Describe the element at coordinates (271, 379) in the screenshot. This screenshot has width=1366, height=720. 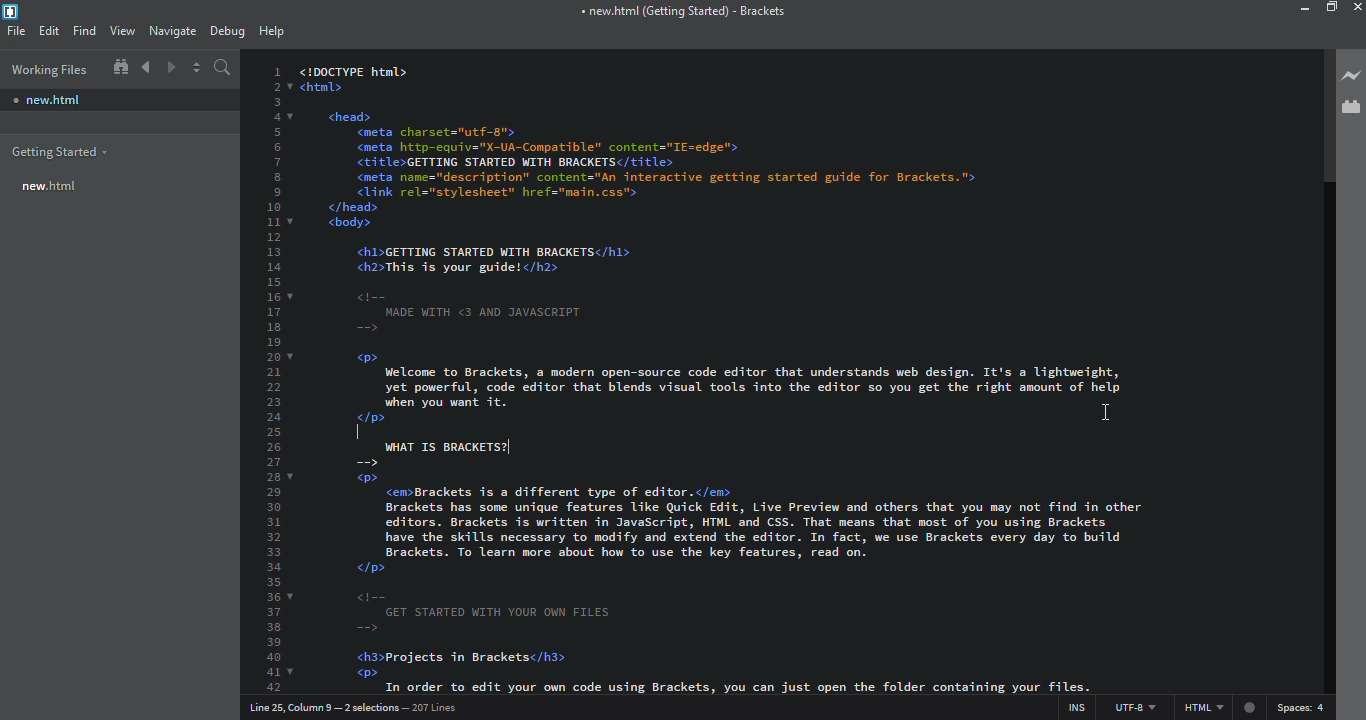
I see `line number` at that location.